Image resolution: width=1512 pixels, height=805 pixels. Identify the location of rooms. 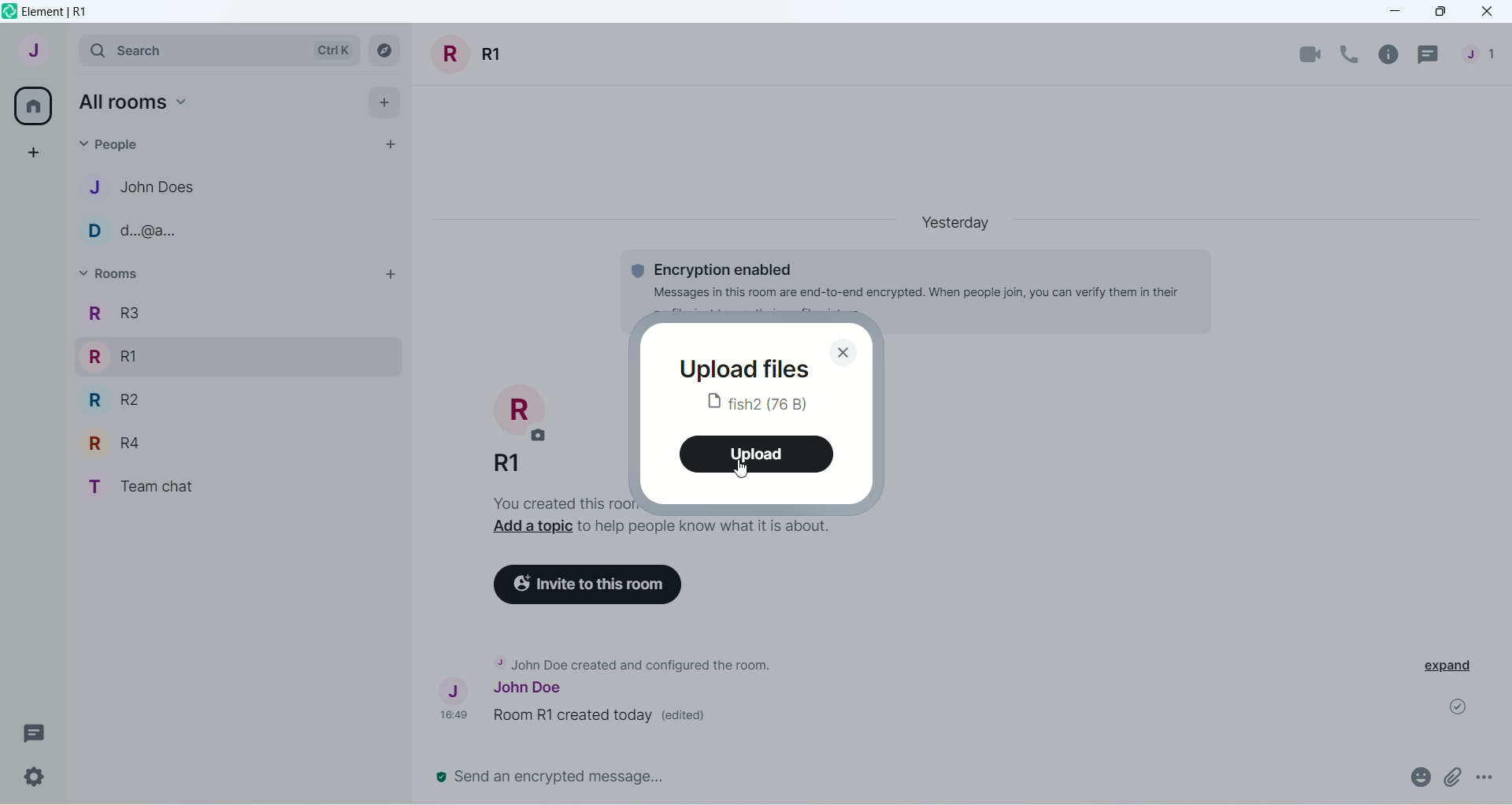
(115, 270).